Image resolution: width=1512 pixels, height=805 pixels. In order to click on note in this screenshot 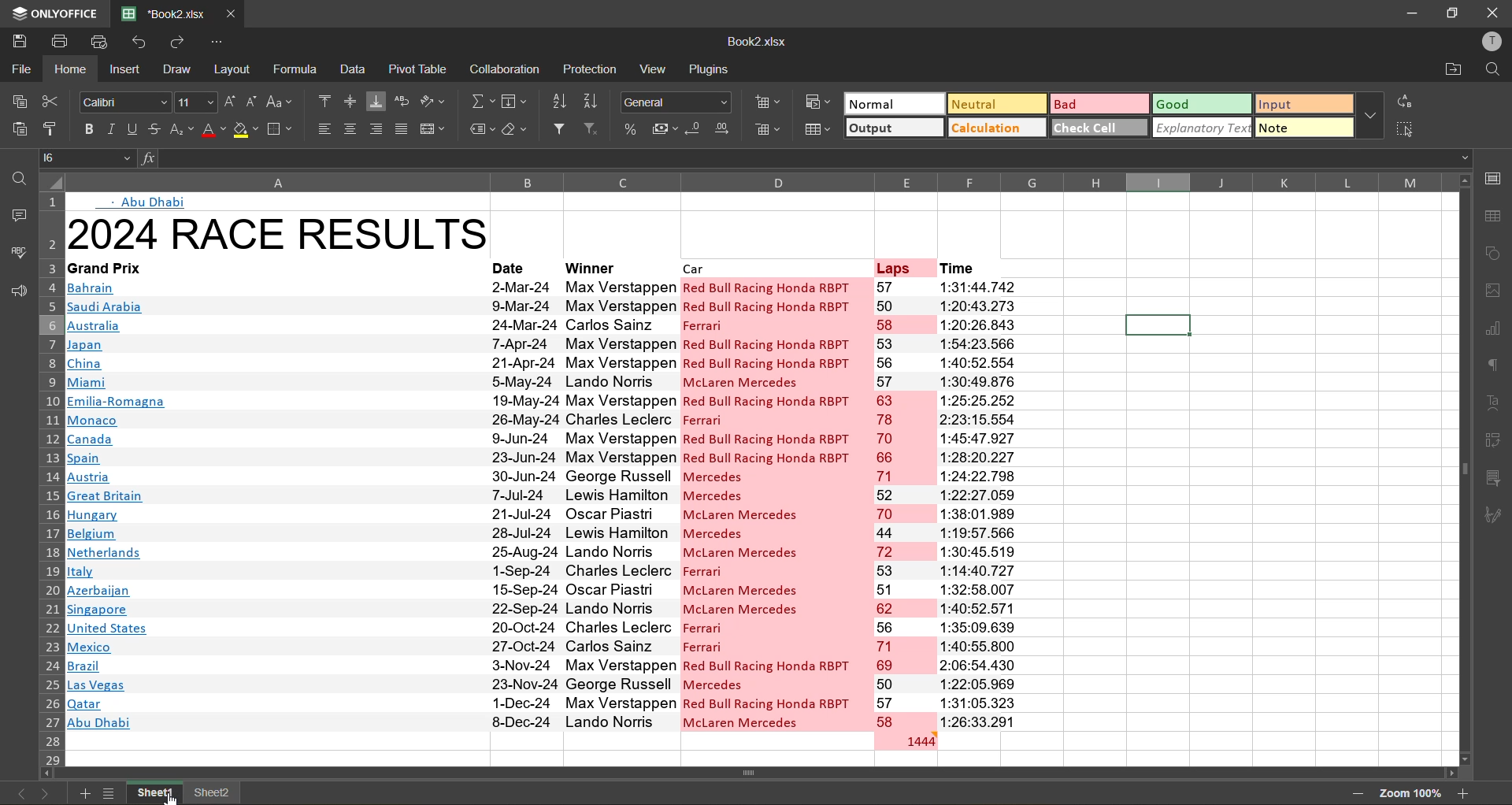, I will do `click(1304, 128)`.